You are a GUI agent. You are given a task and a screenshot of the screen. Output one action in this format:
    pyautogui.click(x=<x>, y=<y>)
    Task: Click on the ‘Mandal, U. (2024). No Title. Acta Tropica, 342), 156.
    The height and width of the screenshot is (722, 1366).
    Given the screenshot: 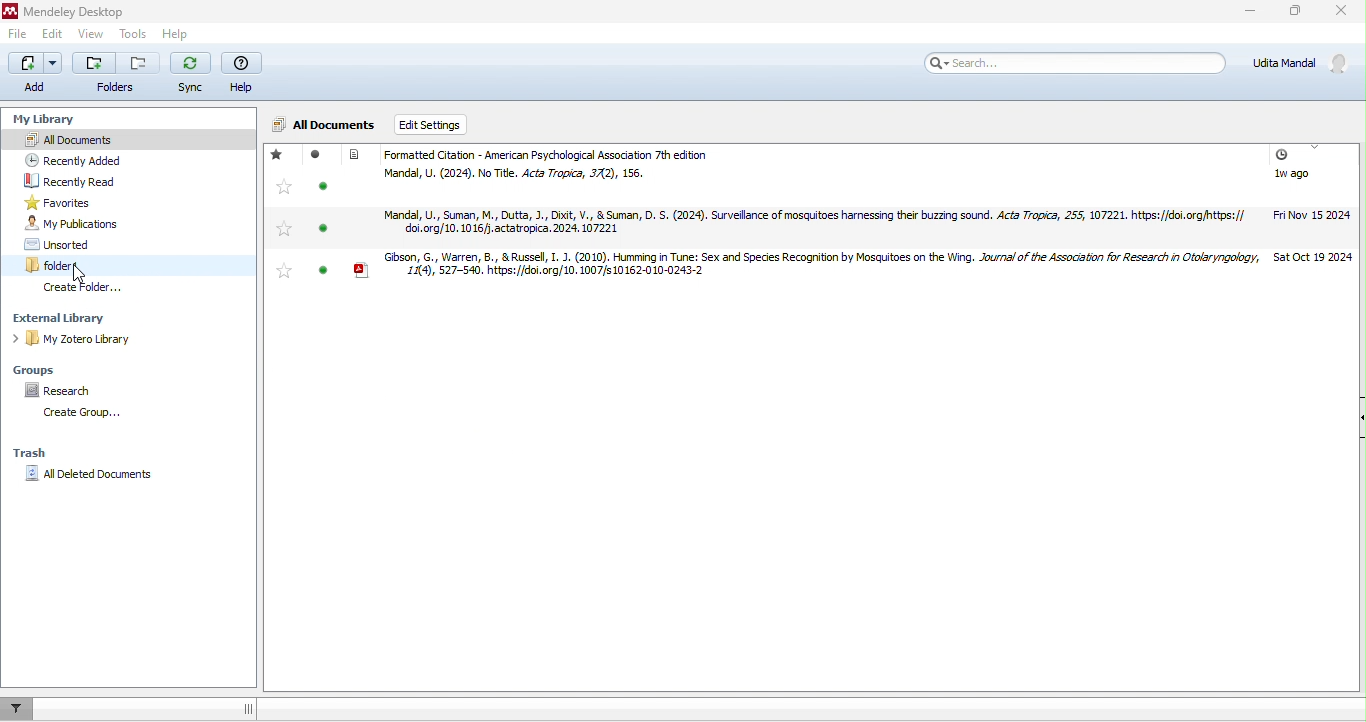 What is the action you would take?
    pyautogui.click(x=515, y=174)
    